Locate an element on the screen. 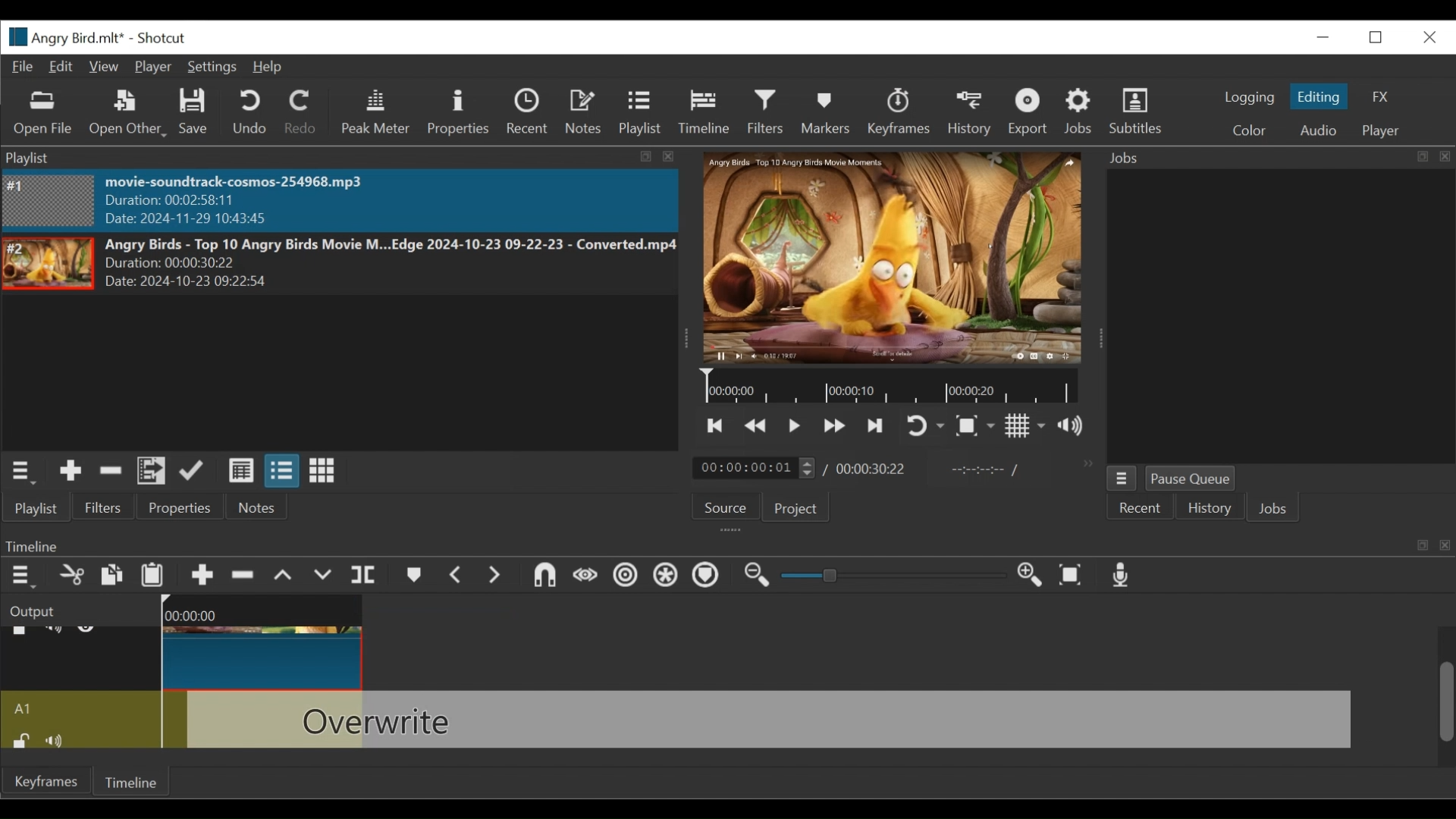 The image size is (1456, 819). Timeline menu is located at coordinates (22, 577).